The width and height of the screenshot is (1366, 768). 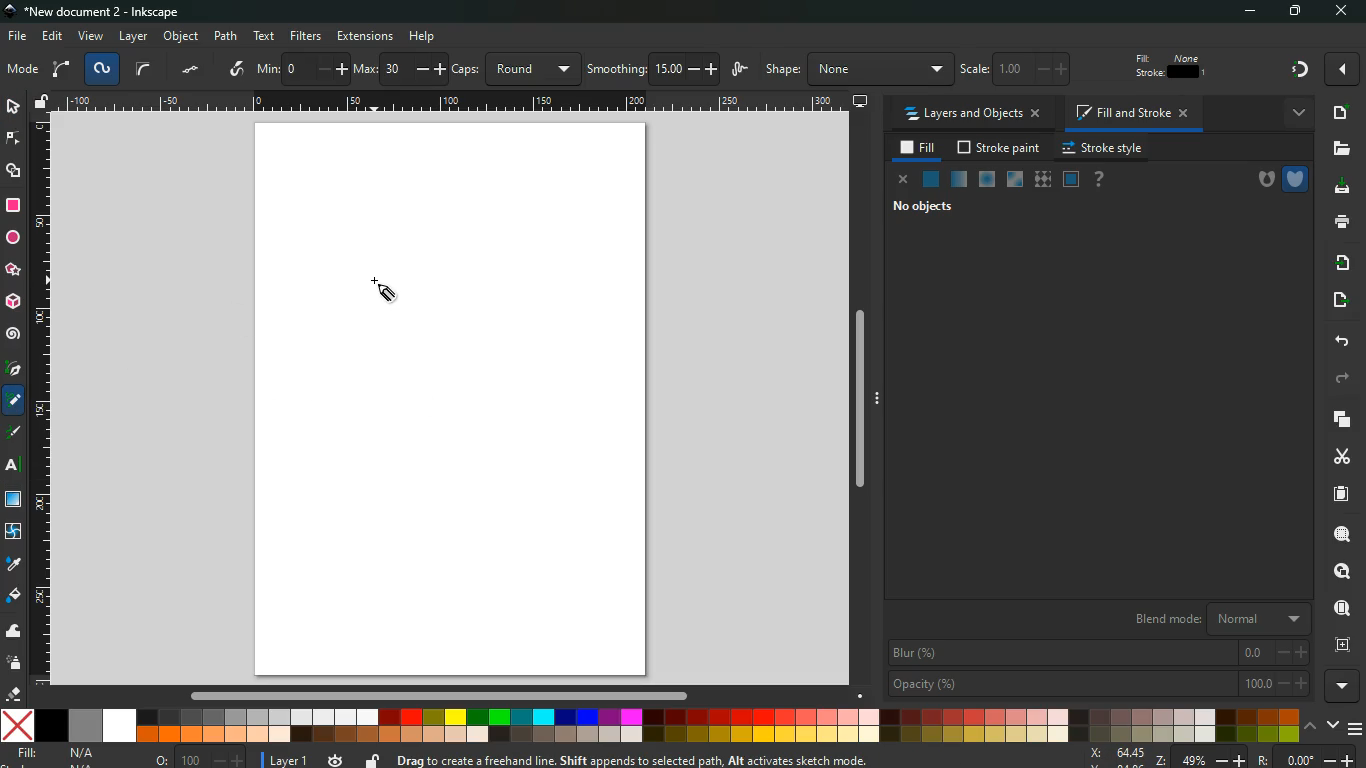 What do you see at coordinates (1103, 180) in the screenshot?
I see `help` at bounding box center [1103, 180].